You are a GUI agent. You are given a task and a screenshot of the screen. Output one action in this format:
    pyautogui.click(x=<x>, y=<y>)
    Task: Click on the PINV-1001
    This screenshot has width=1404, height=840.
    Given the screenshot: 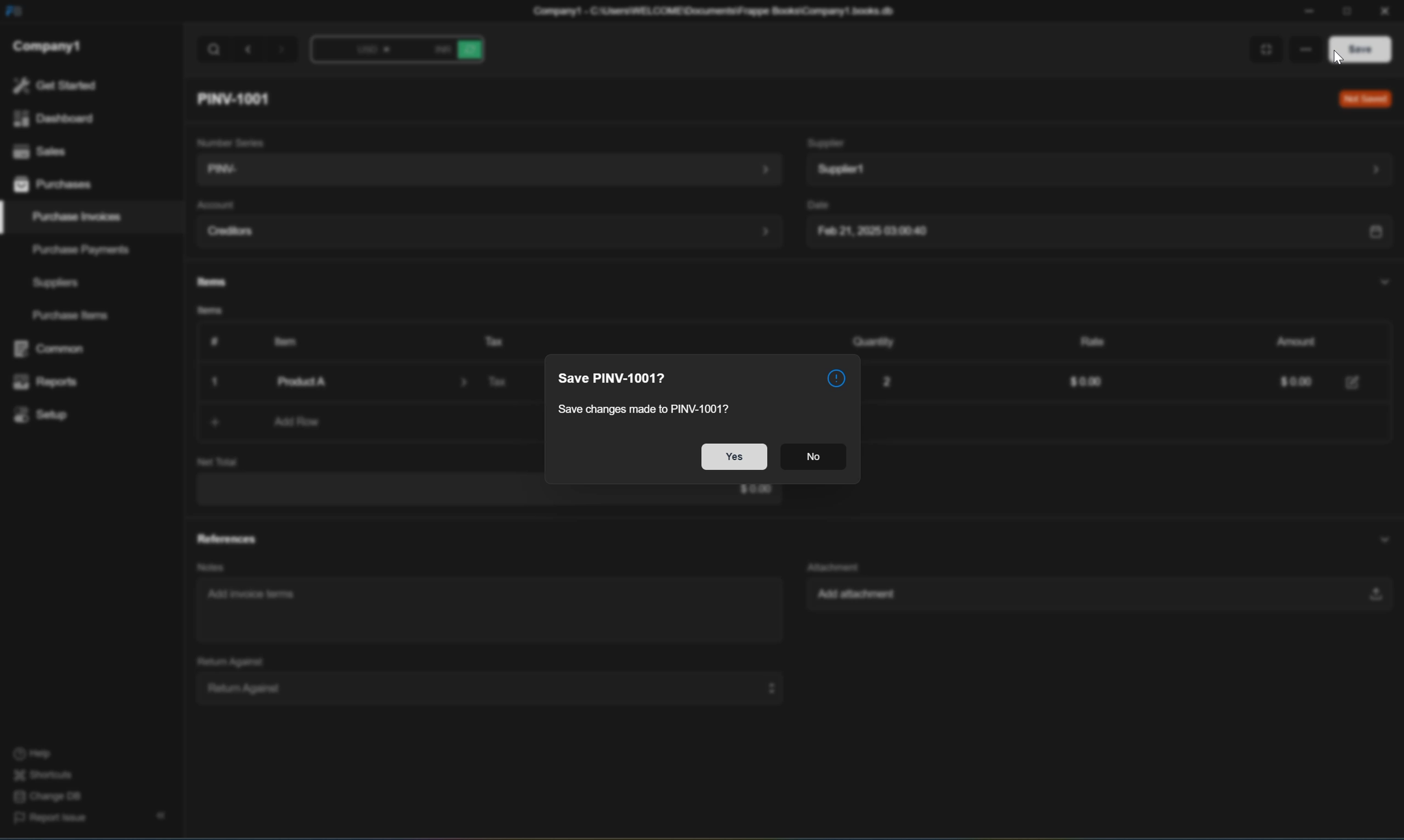 What is the action you would take?
    pyautogui.click(x=238, y=98)
    